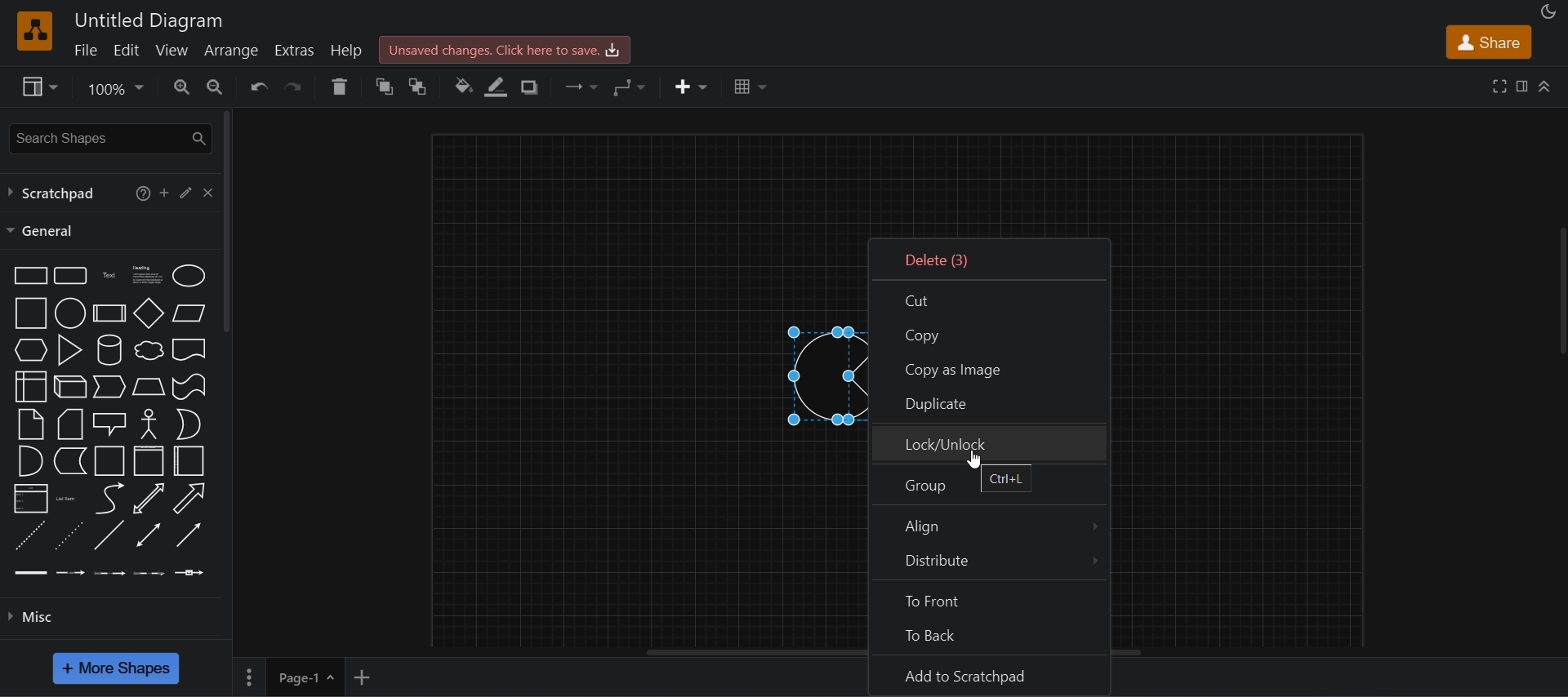  Describe the element at coordinates (1548, 12) in the screenshot. I see `apprarance` at that location.